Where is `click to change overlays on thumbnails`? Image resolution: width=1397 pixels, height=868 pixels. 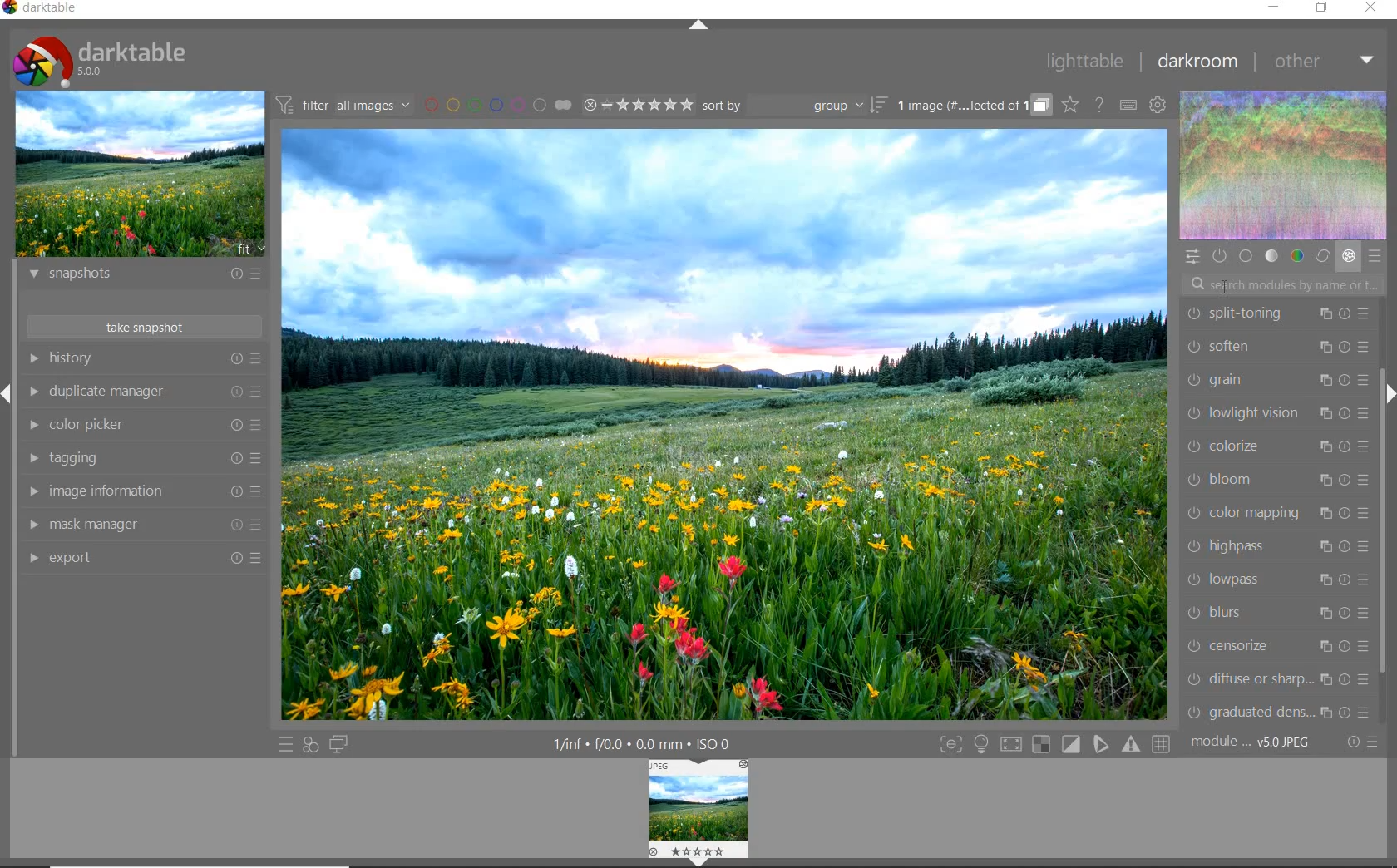
click to change overlays on thumbnails is located at coordinates (1069, 104).